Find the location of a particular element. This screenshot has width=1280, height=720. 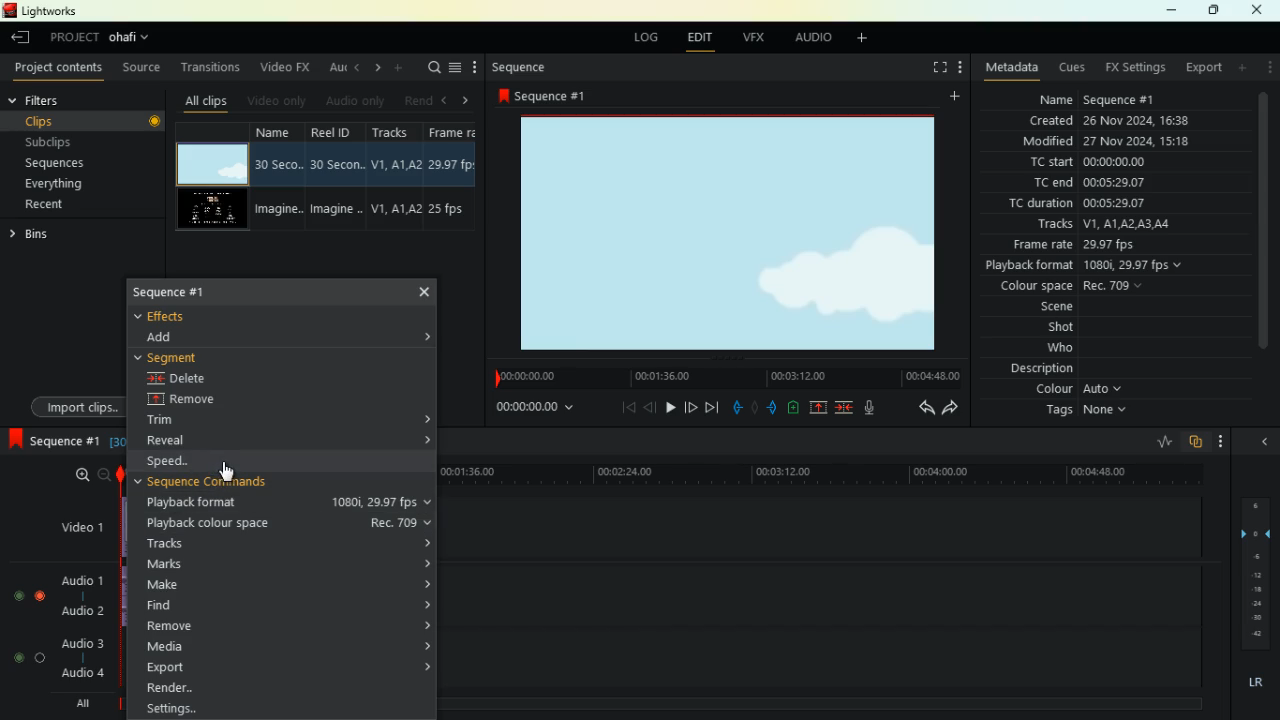

lightworks is located at coordinates (49, 11).